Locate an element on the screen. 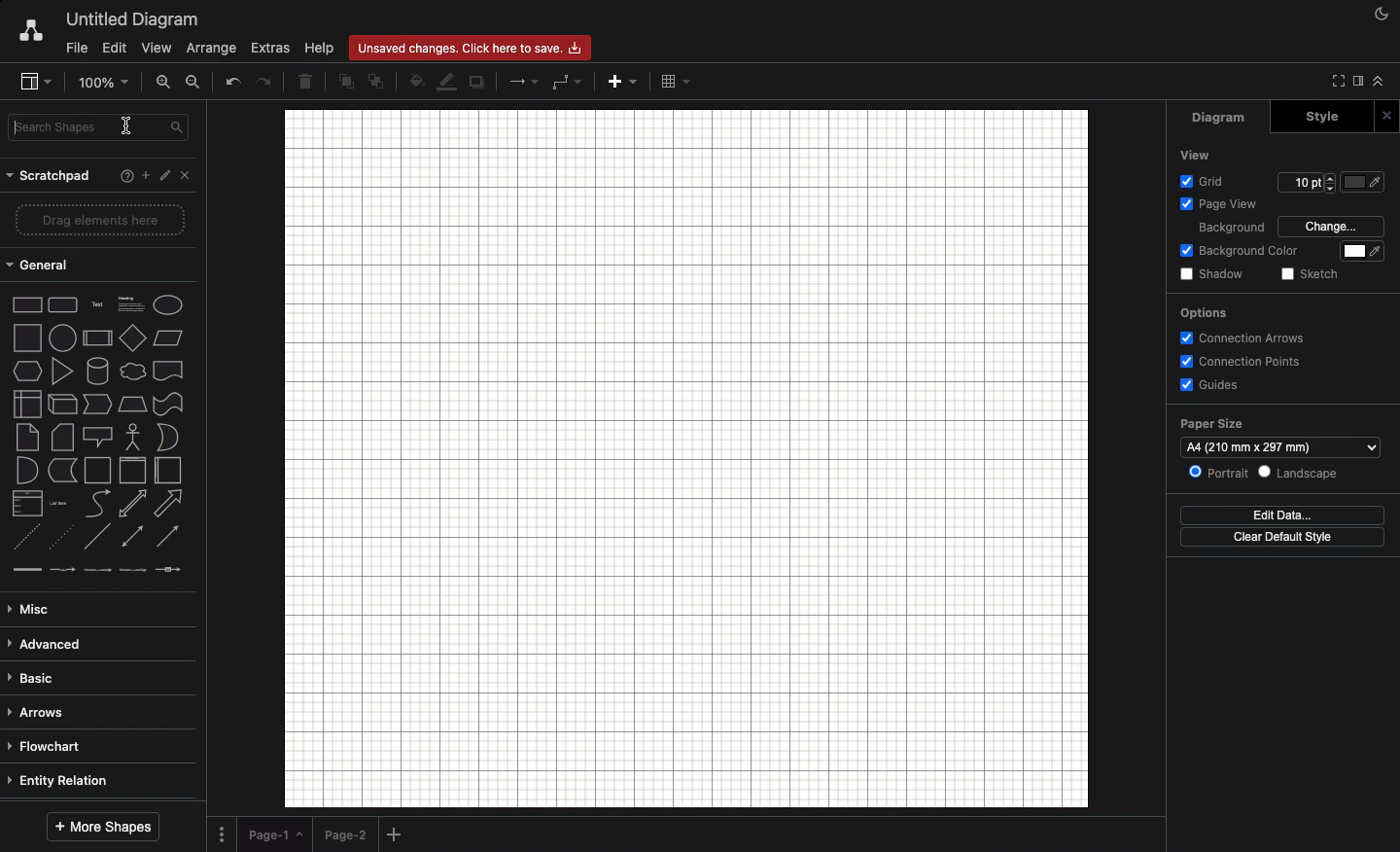 Image resolution: width=1400 pixels, height=852 pixels. Duplicate is located at coordinates (478, 83).